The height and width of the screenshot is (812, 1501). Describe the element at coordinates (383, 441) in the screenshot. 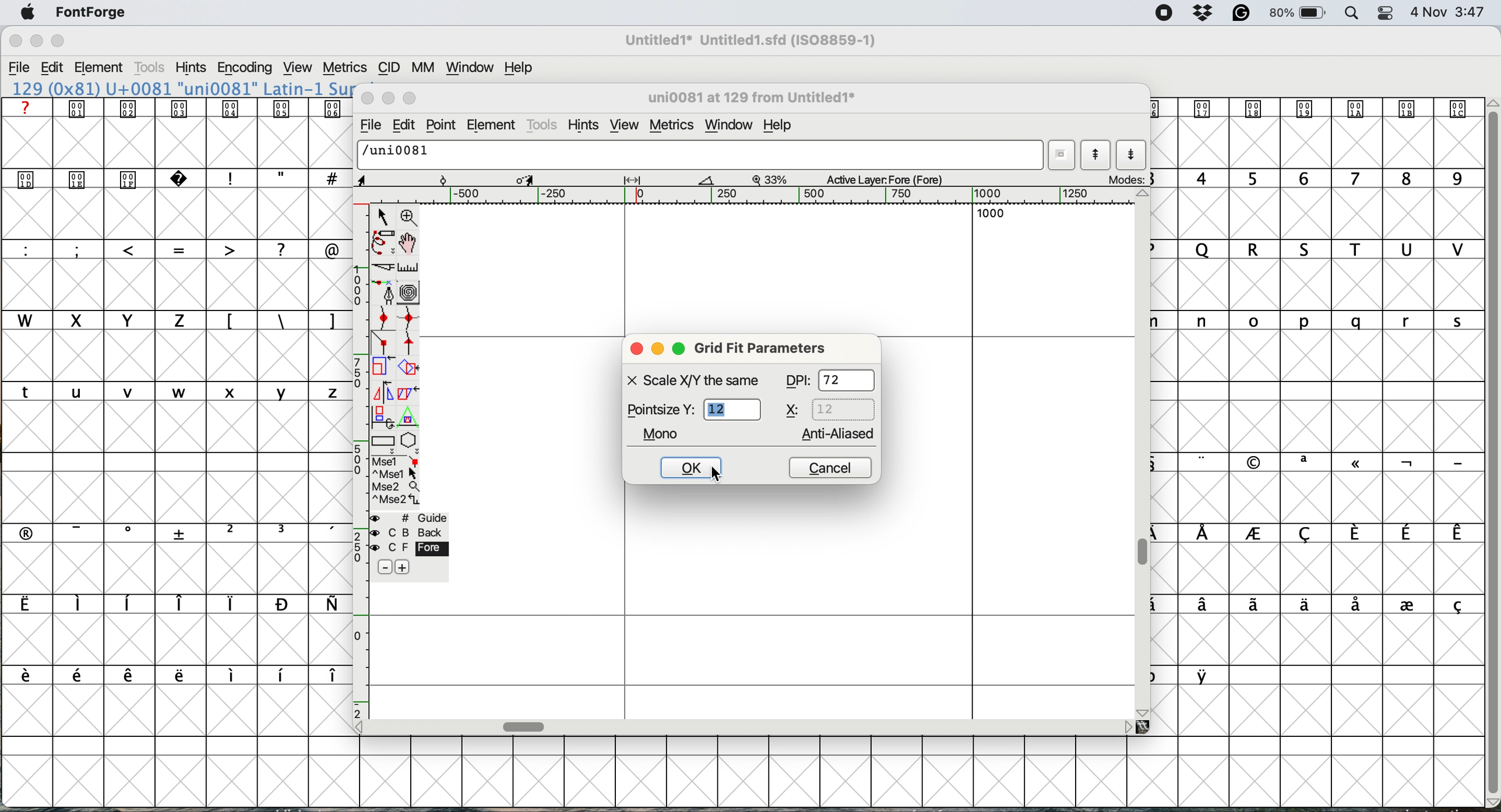

I see `rectangles and ellipses` at that location.